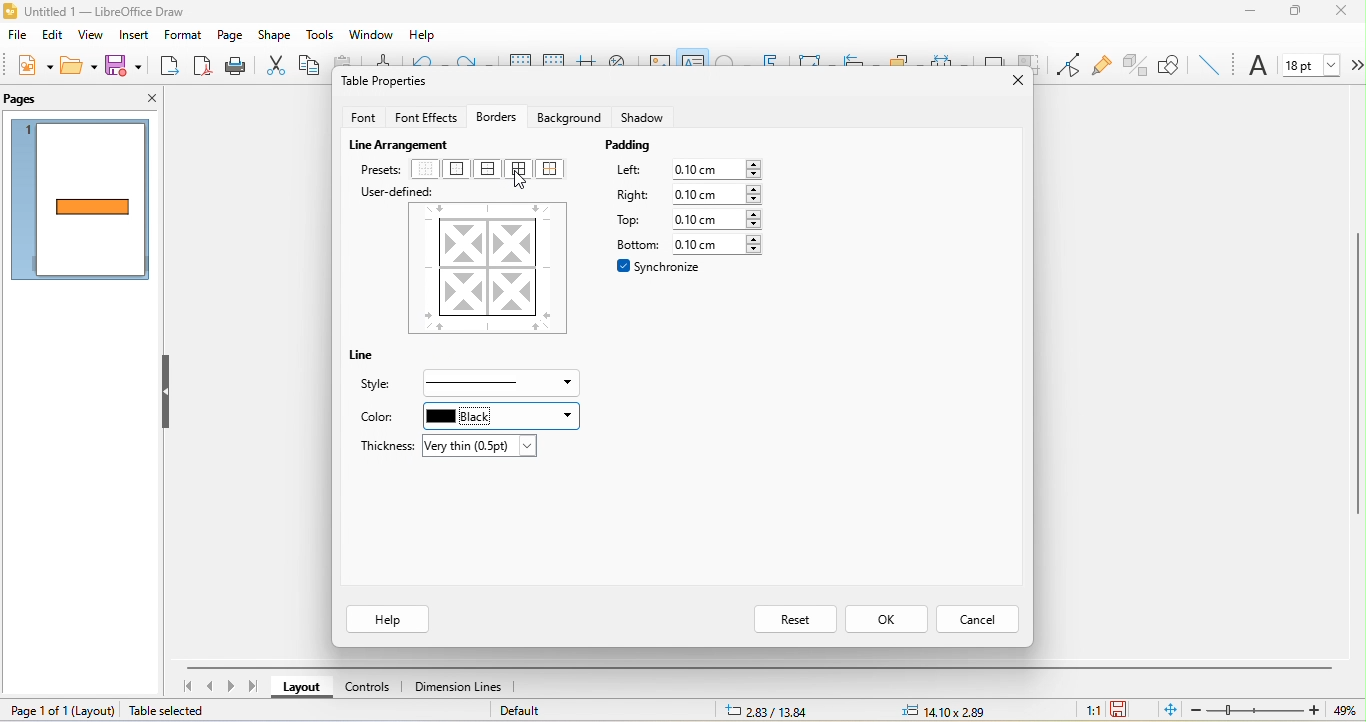 This screenshot has width=1366, height=722. Describe the element at coordinates (1347, 12) in the screenshot. I see `close` at that location.